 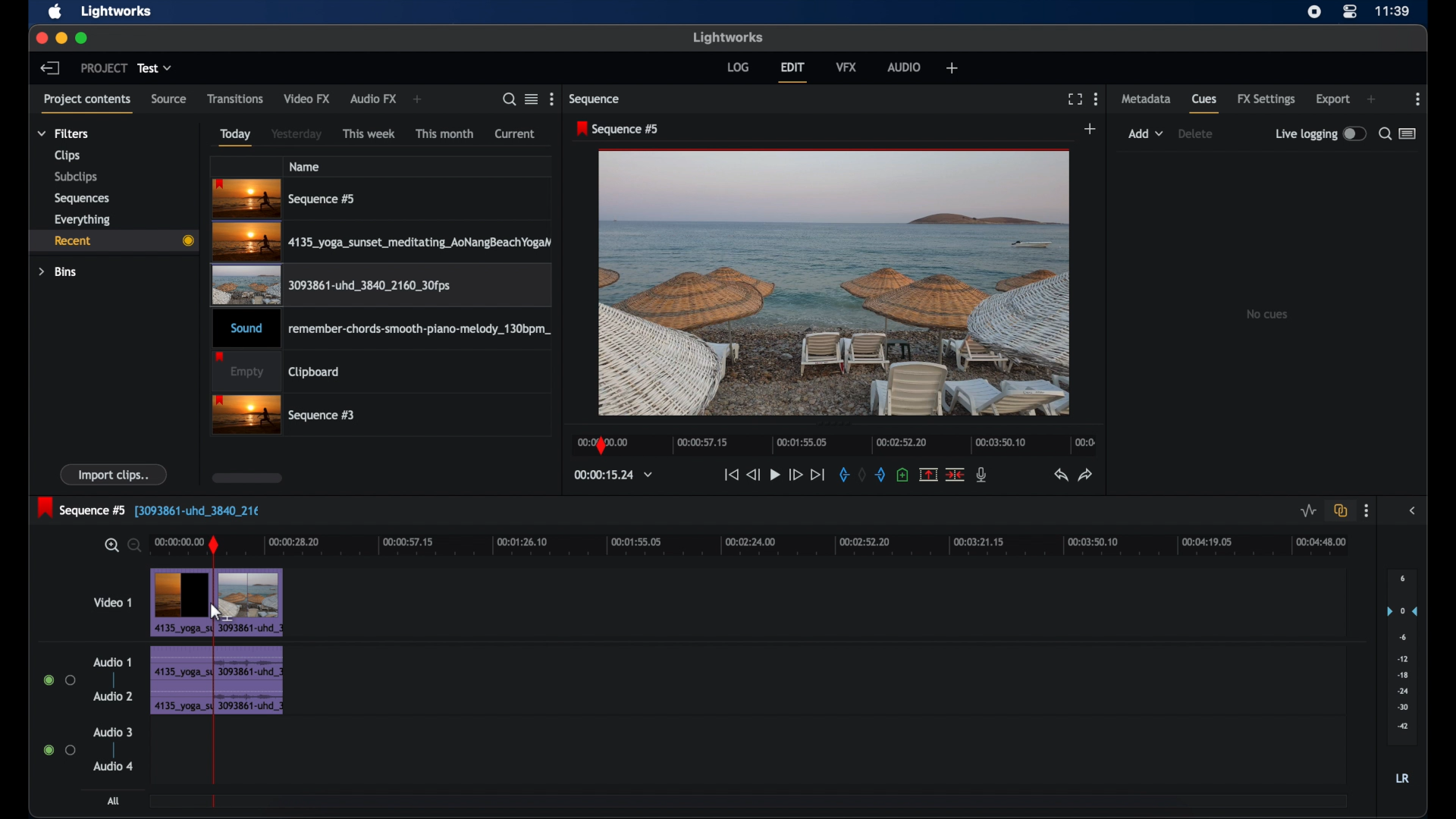 I want to click on video 1, so click(x=115, y=602).